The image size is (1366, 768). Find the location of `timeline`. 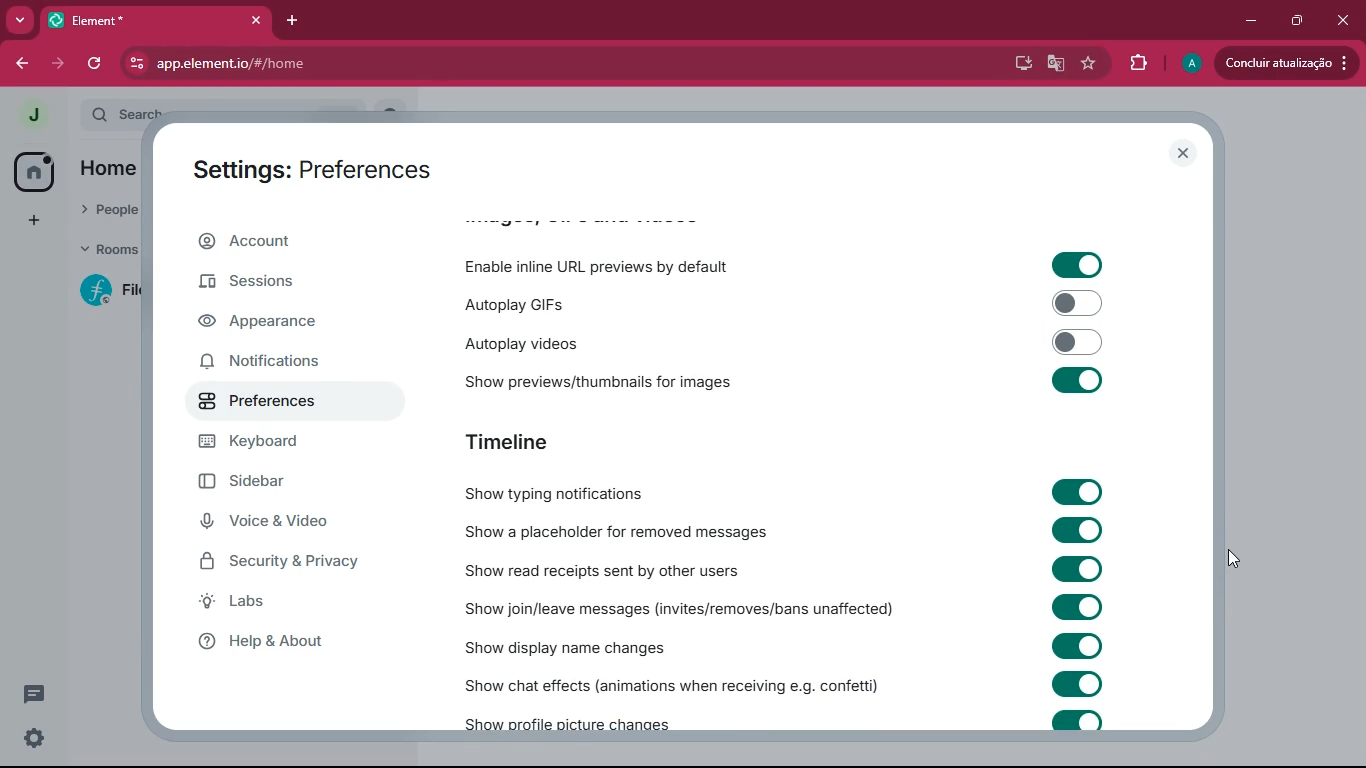

timeline is located at coordinates (546, 441).